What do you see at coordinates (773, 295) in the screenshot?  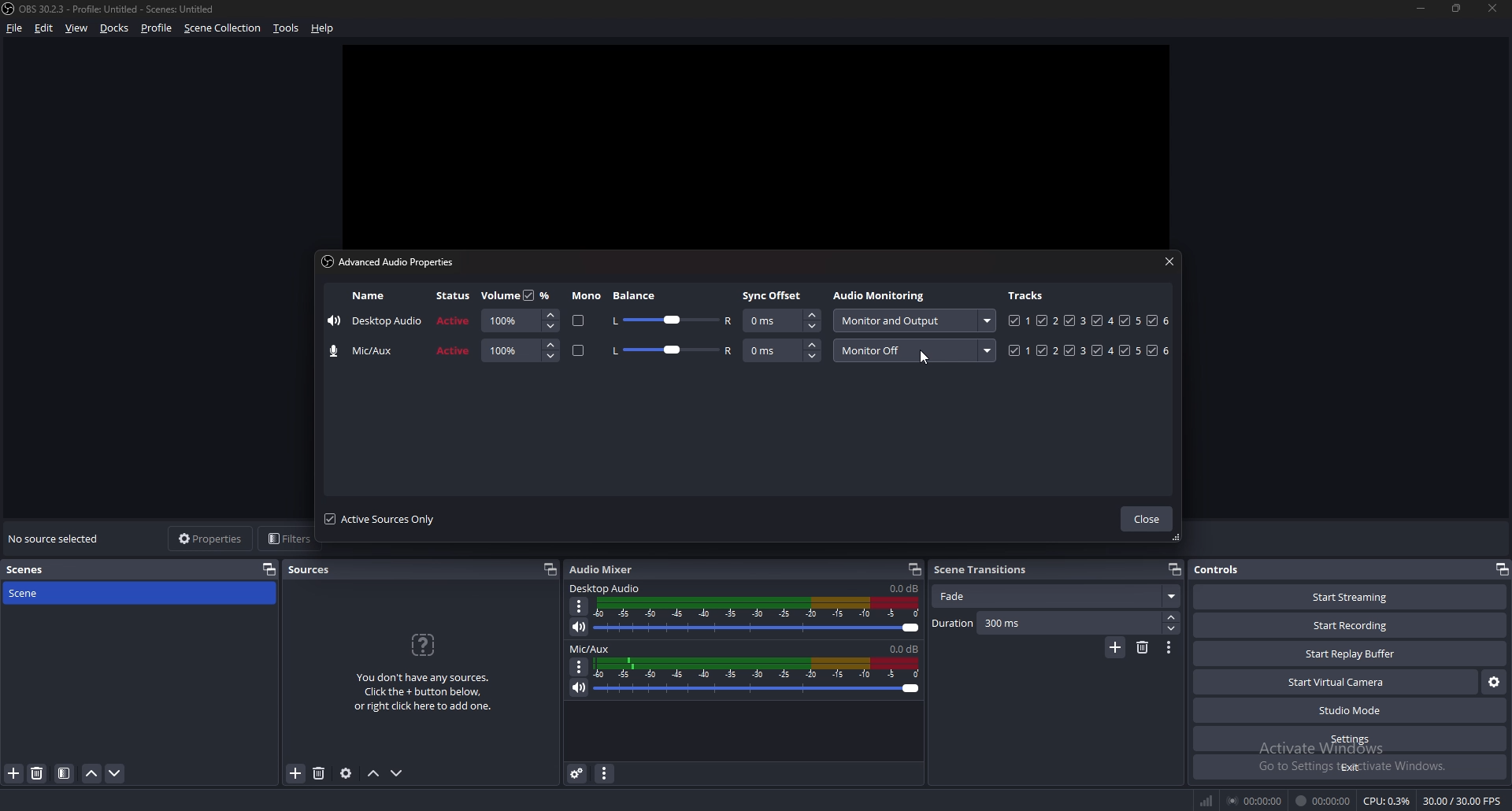 I see `sync offset` at bounding box center [773, 295].